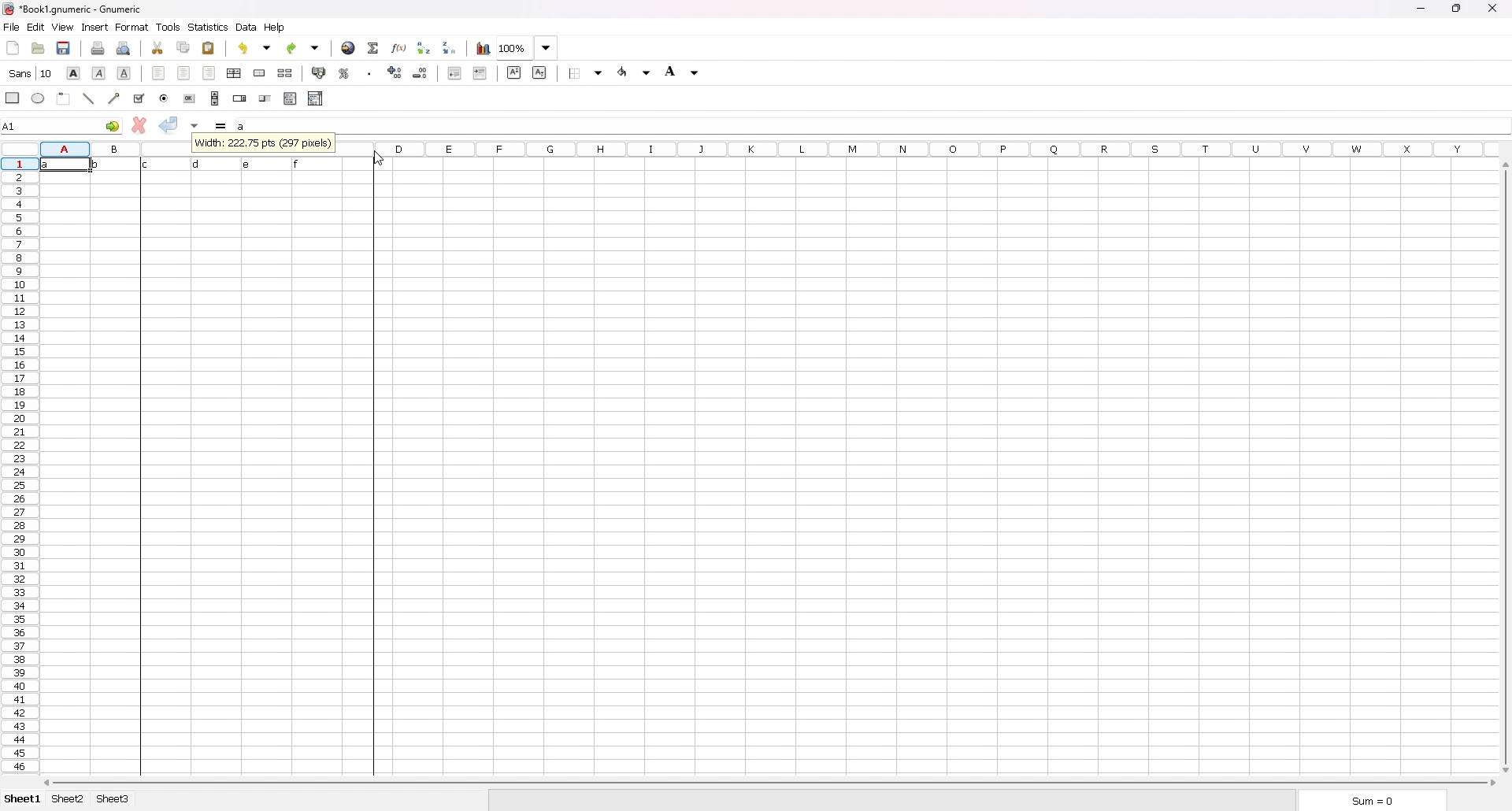 This screenshot has height=811, width=1512. What do you see at coordinates (772, 783) in the screenshot?
I see `scroll bar` at bounding box center [772, 783].